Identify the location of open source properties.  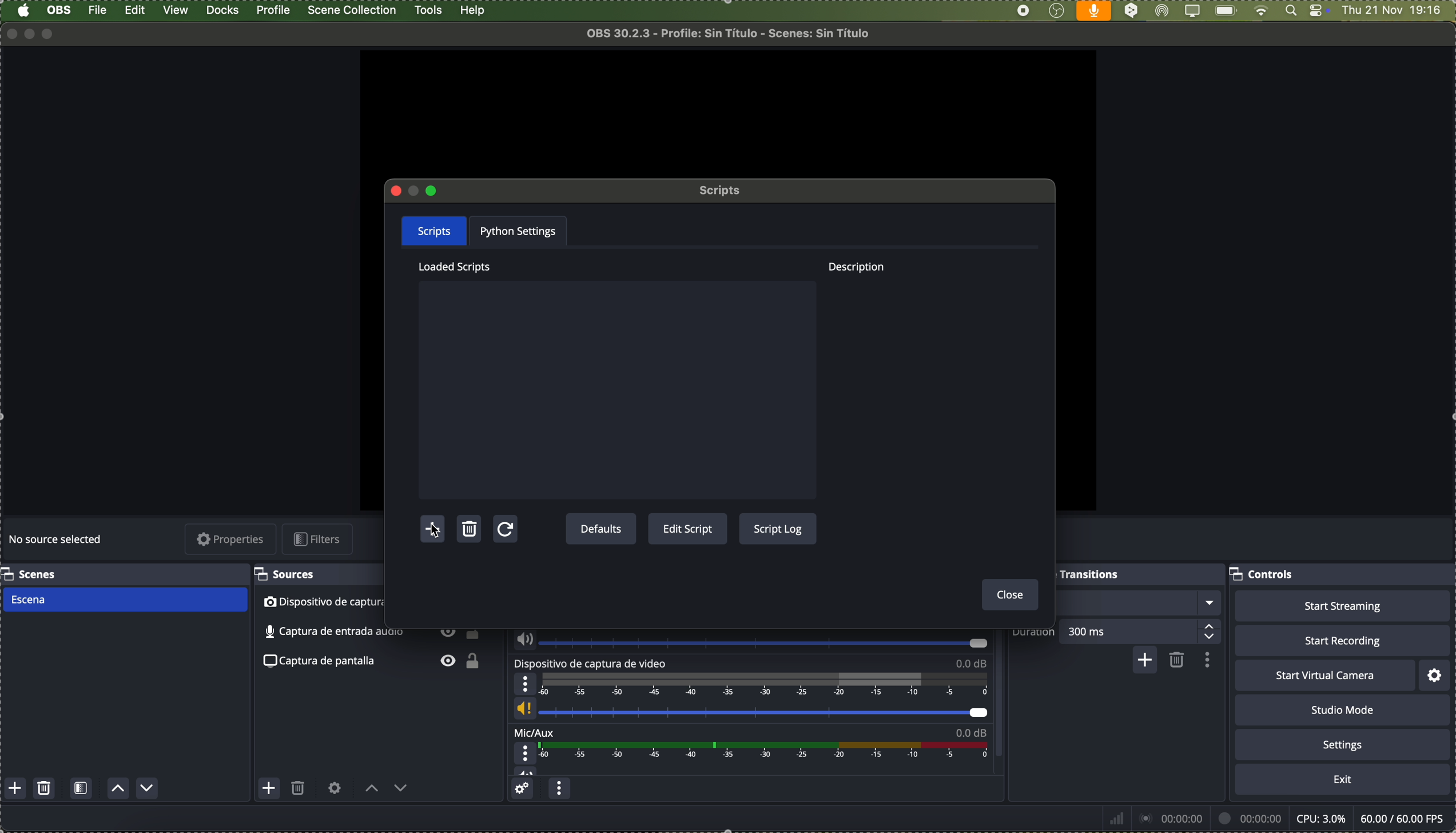
(335, 788).